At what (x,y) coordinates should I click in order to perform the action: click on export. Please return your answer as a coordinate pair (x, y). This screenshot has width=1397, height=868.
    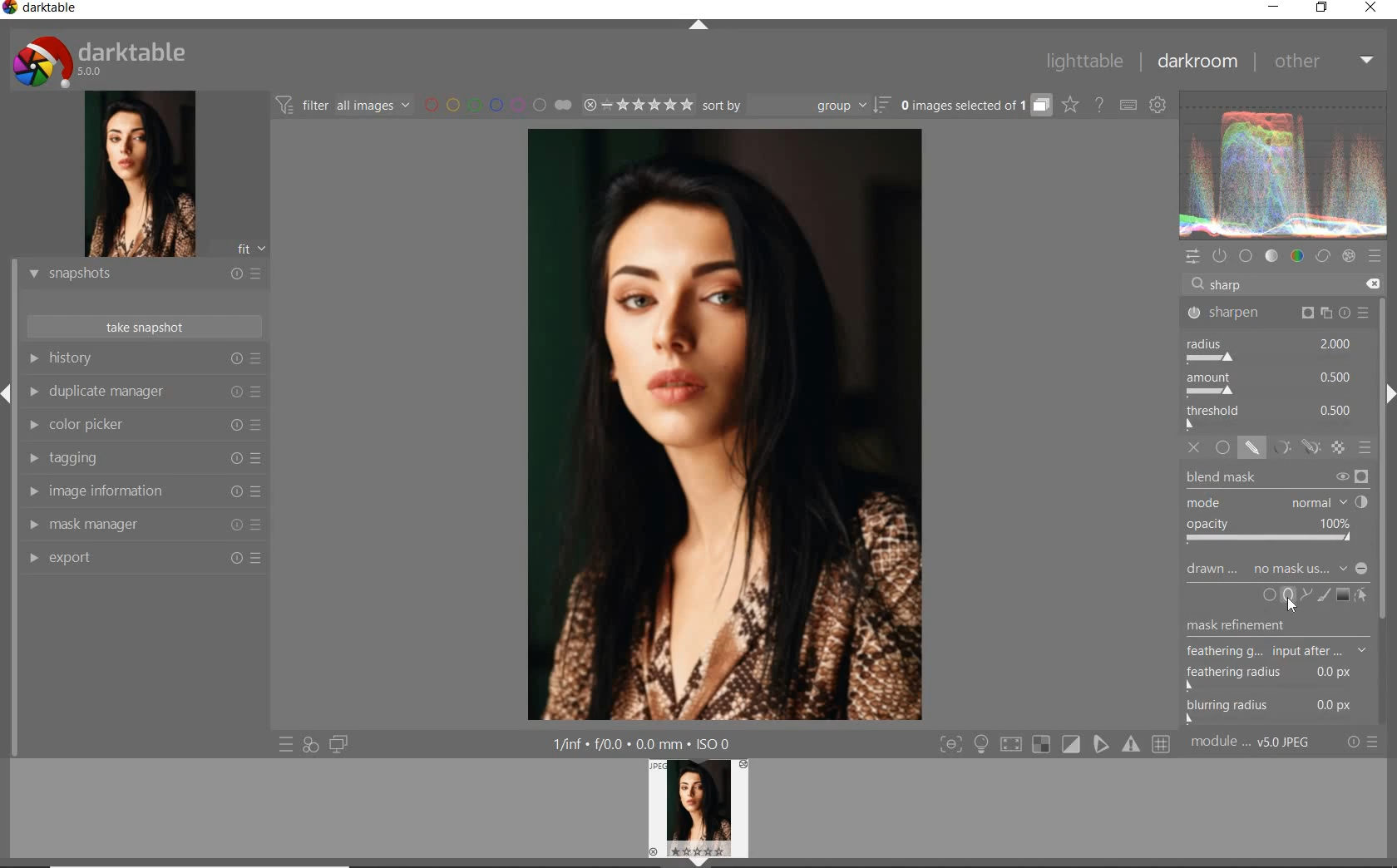
    Looking at the image, I should click on (143, 560).